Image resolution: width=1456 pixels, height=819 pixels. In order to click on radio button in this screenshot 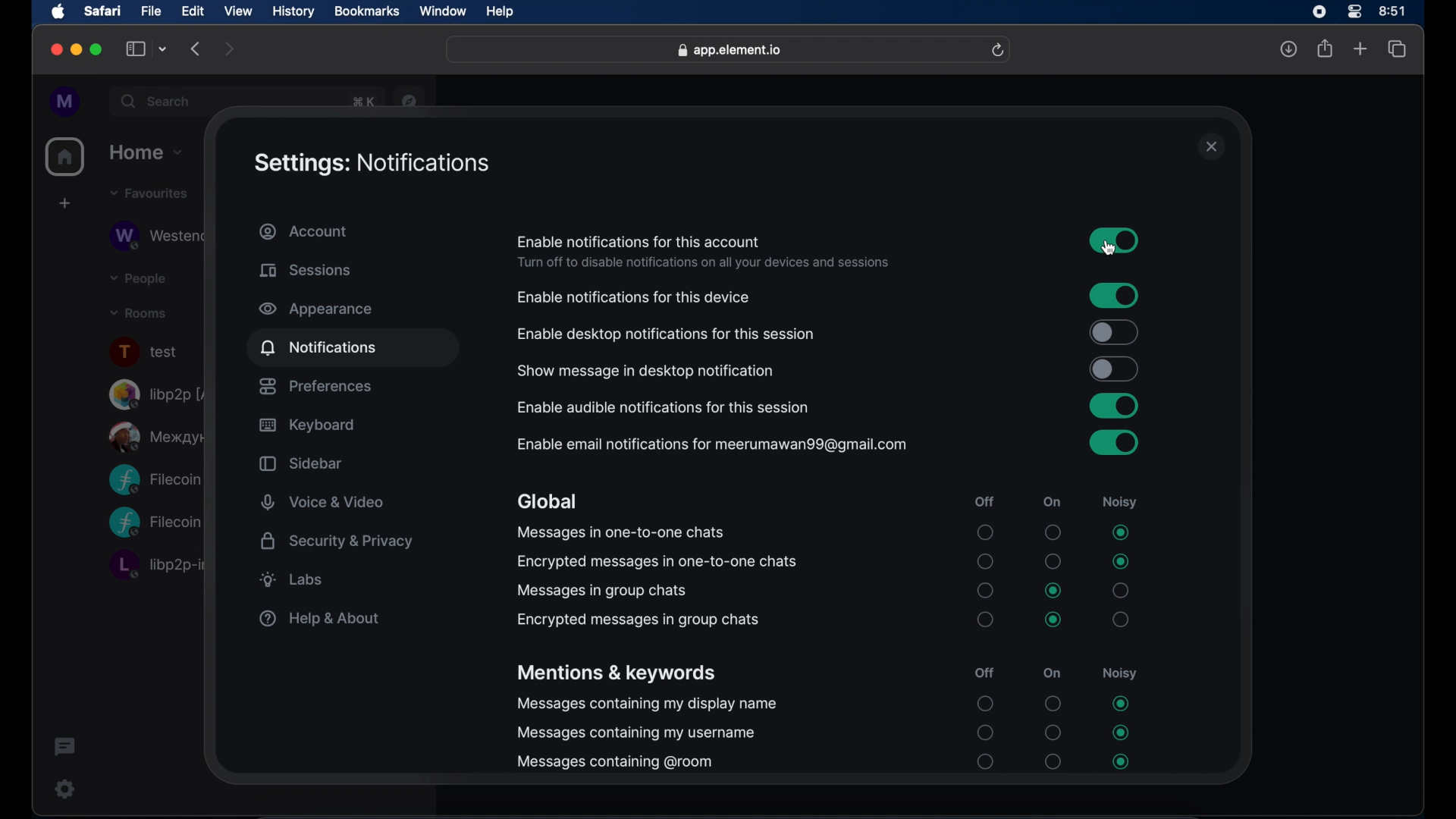, I will do `click(1121, 591)`.